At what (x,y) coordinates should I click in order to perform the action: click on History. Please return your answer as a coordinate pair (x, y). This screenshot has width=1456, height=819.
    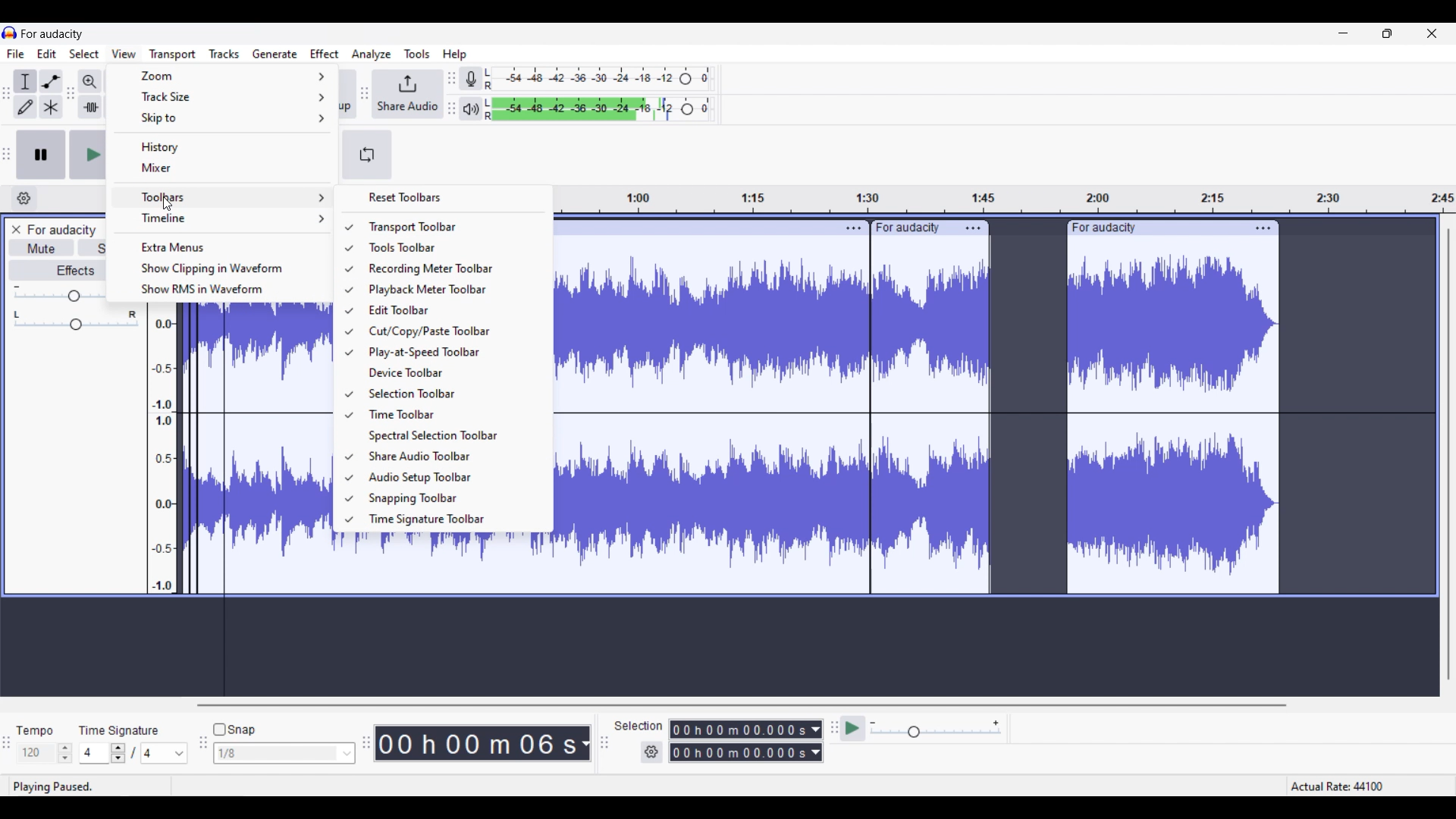
    Looking at the image, I should click on (222, 146).